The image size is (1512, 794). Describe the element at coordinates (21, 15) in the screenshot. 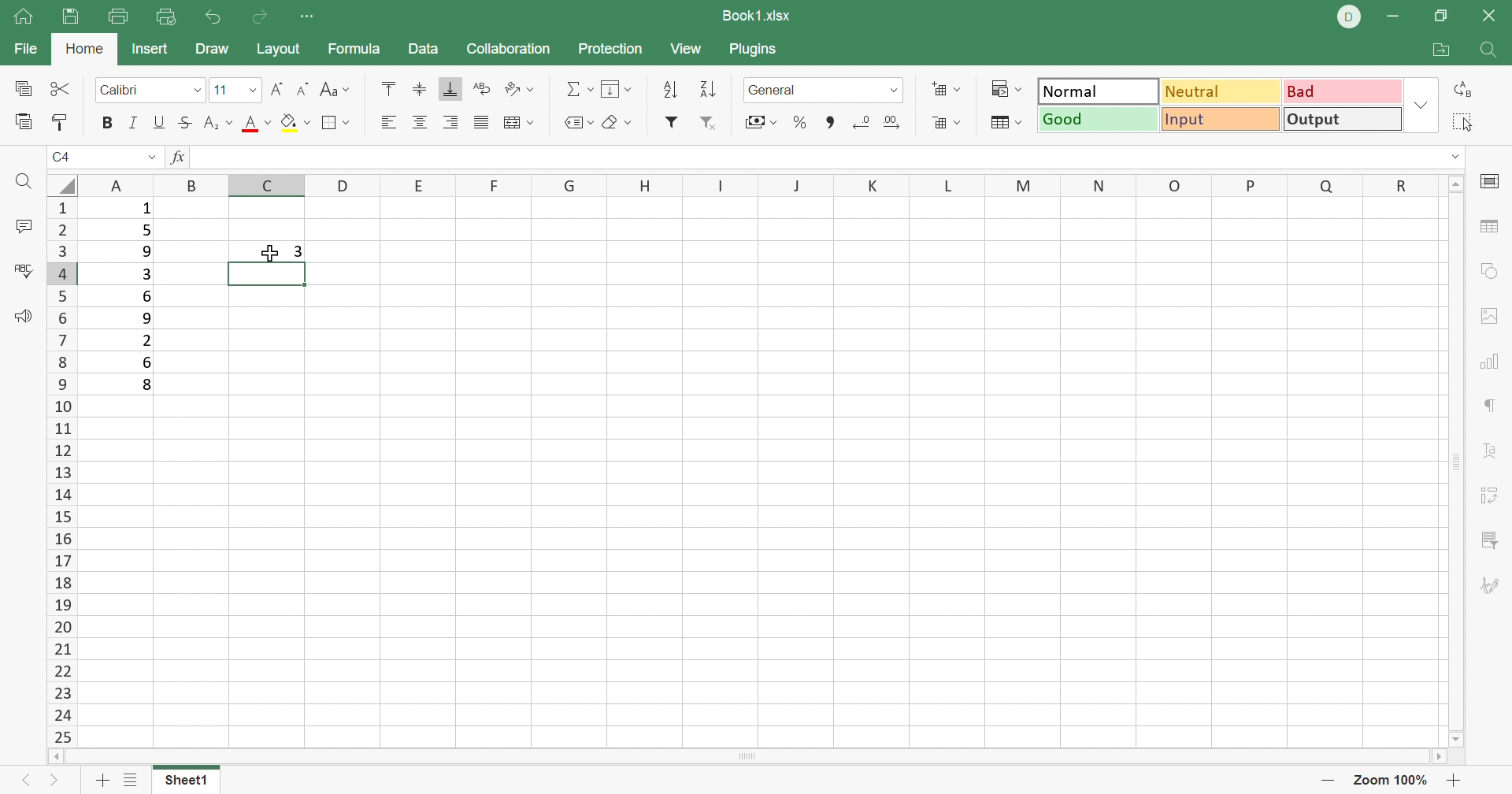

I see `Show main window` at that location.